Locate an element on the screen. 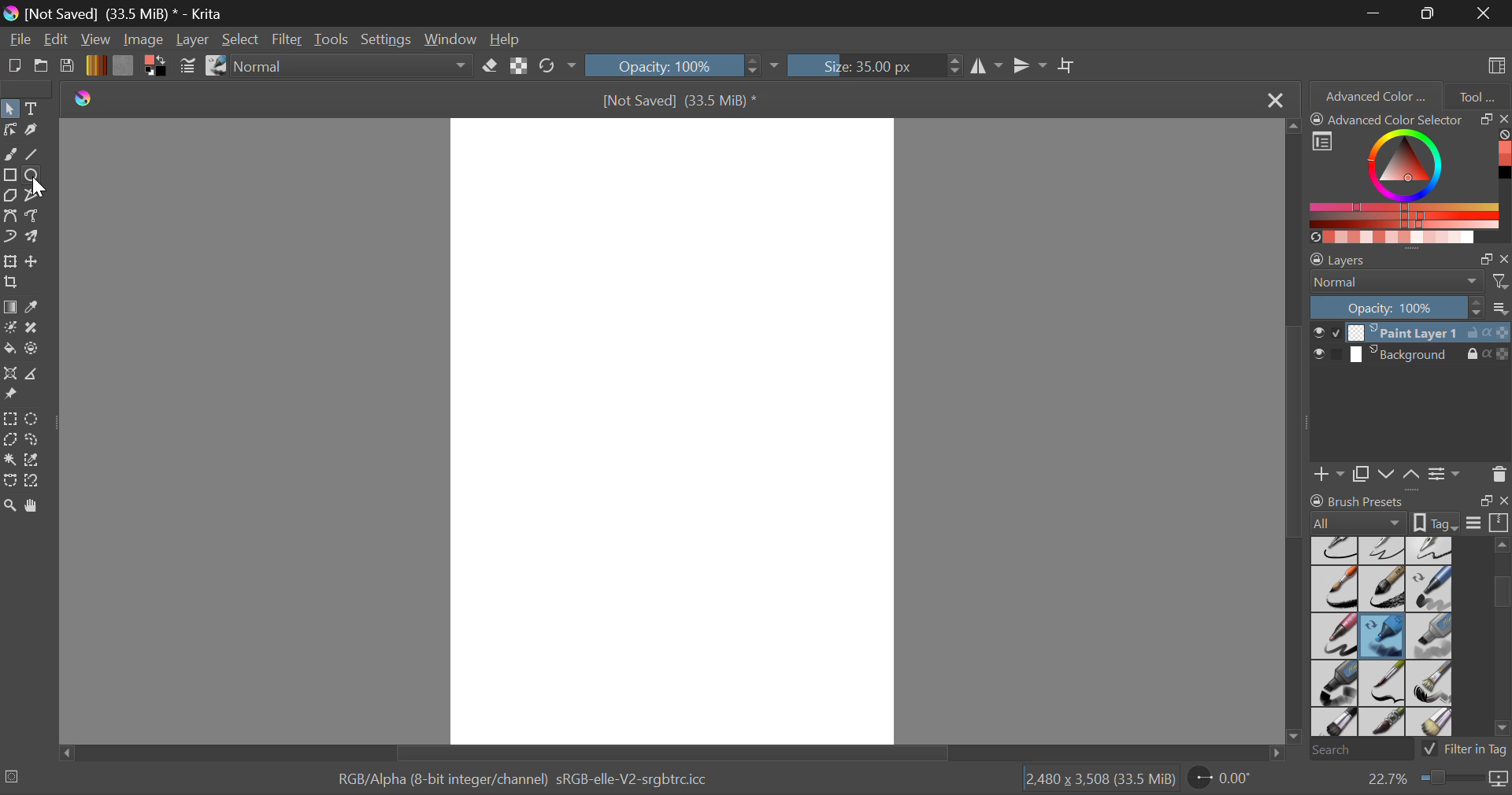 Image resolution: width=1512 pixels, height=795 pixels. Scroll Bar is located at coordinates (668, 752).